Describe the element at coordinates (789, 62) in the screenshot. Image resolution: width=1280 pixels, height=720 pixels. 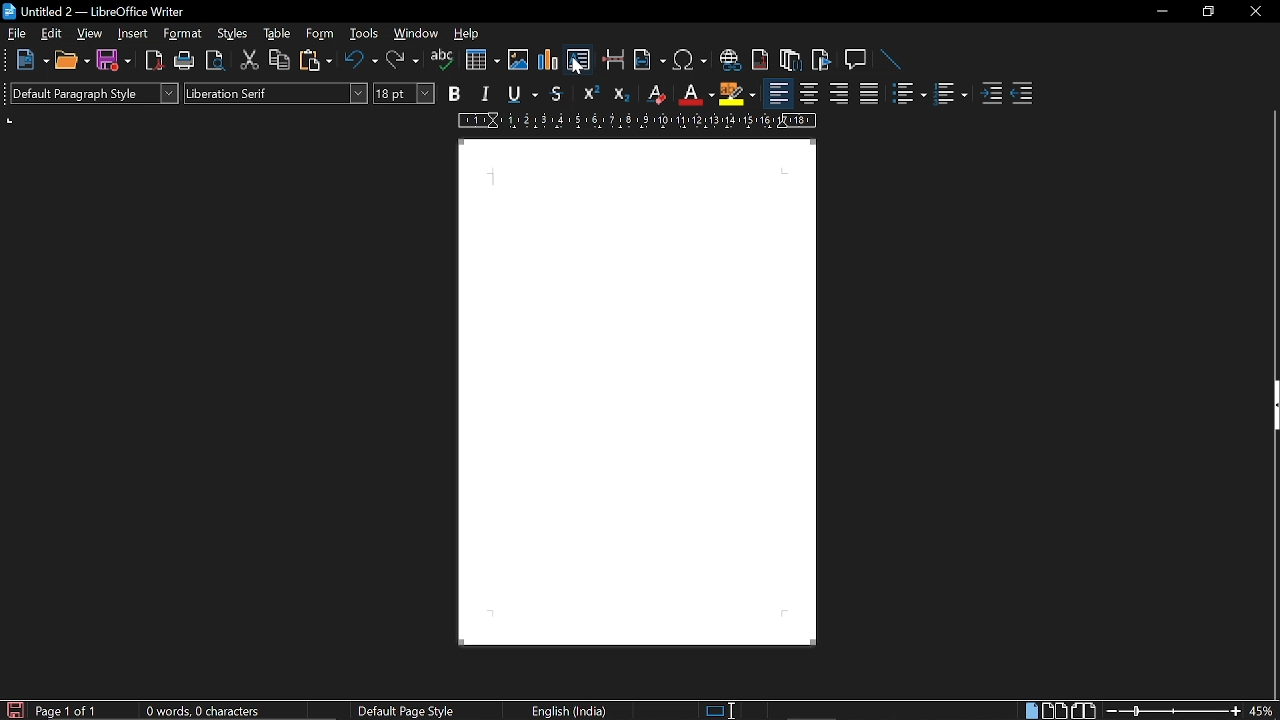
I see `insert endnote` at that location.